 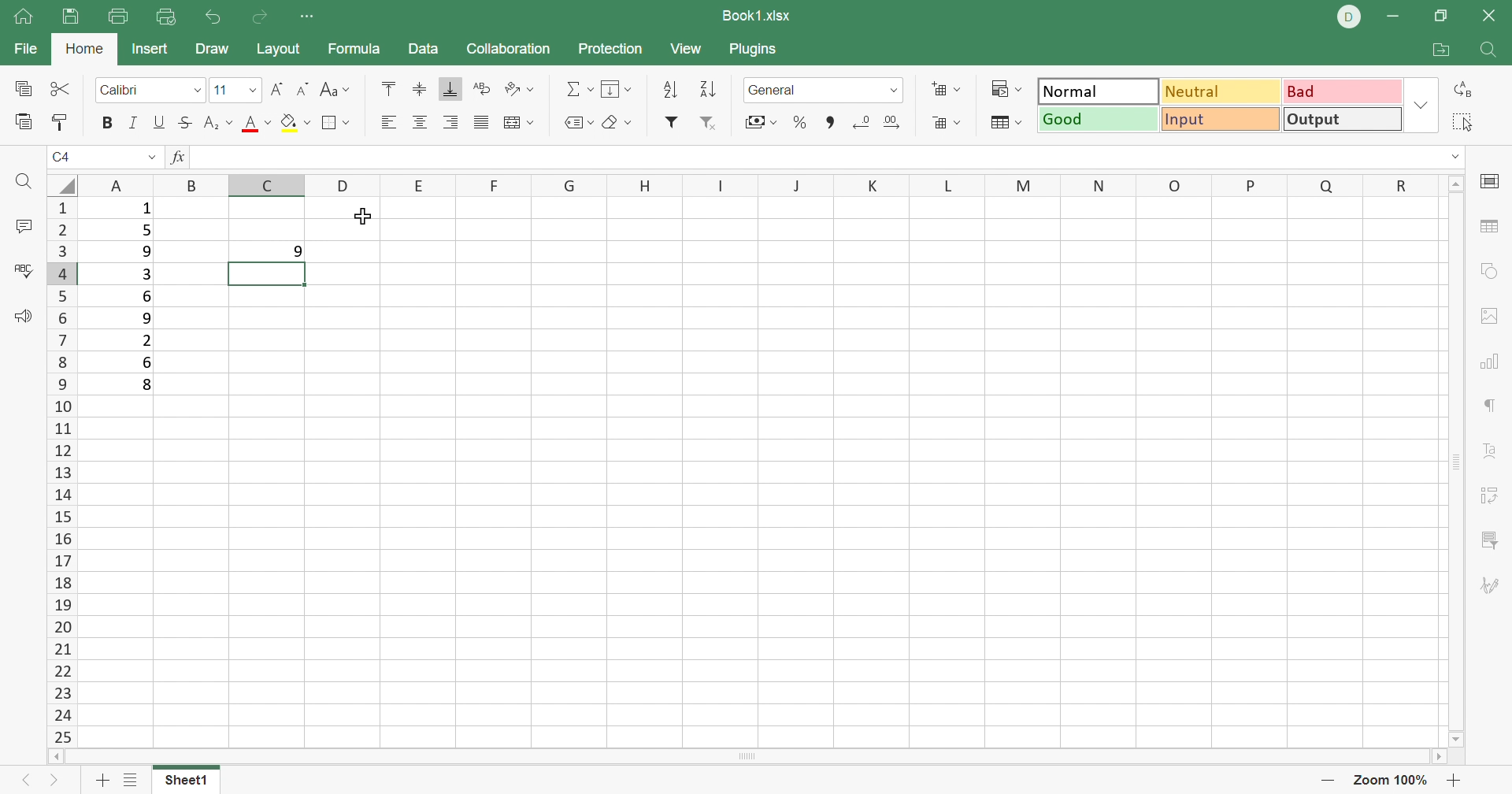 I want to click on Find, so click(x=1490, y=53).